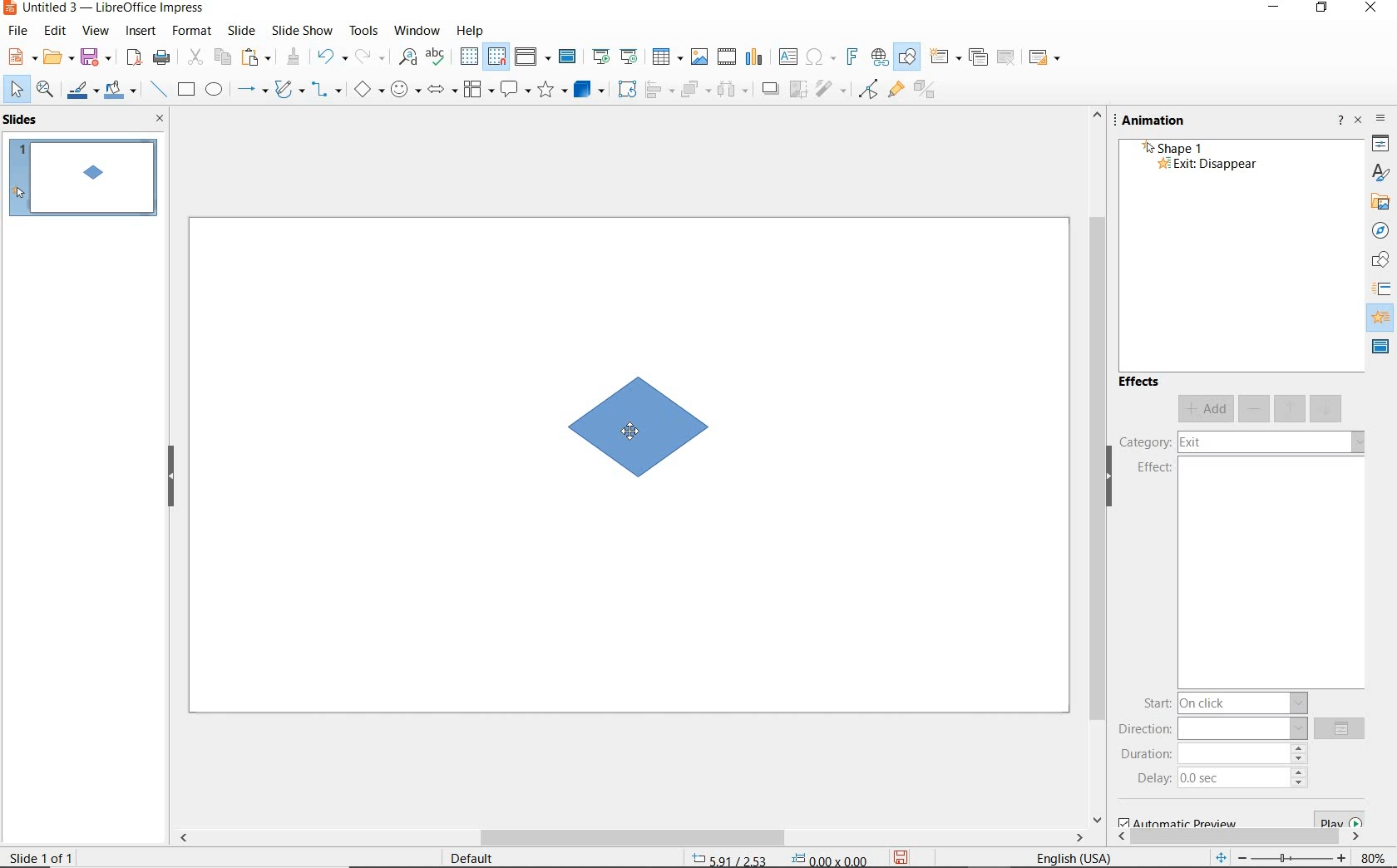  I want to click on styles, so click(1381, 173).